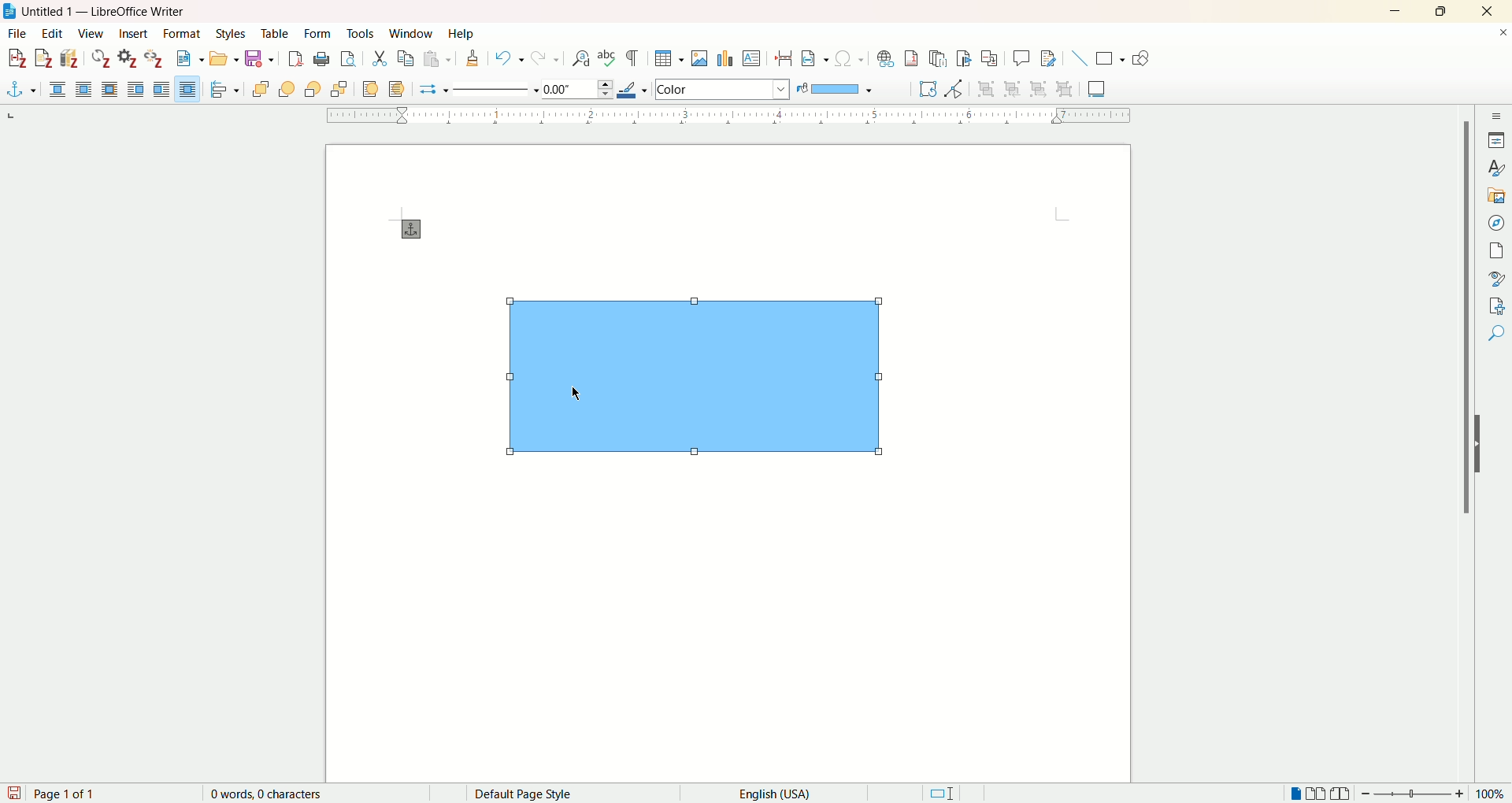 The height and width of the screenshot is (803, 1512). What do you see at coordinates (1097, 89) in the screenshot?
I see `insert caption` at bounding box center [1097, 89].